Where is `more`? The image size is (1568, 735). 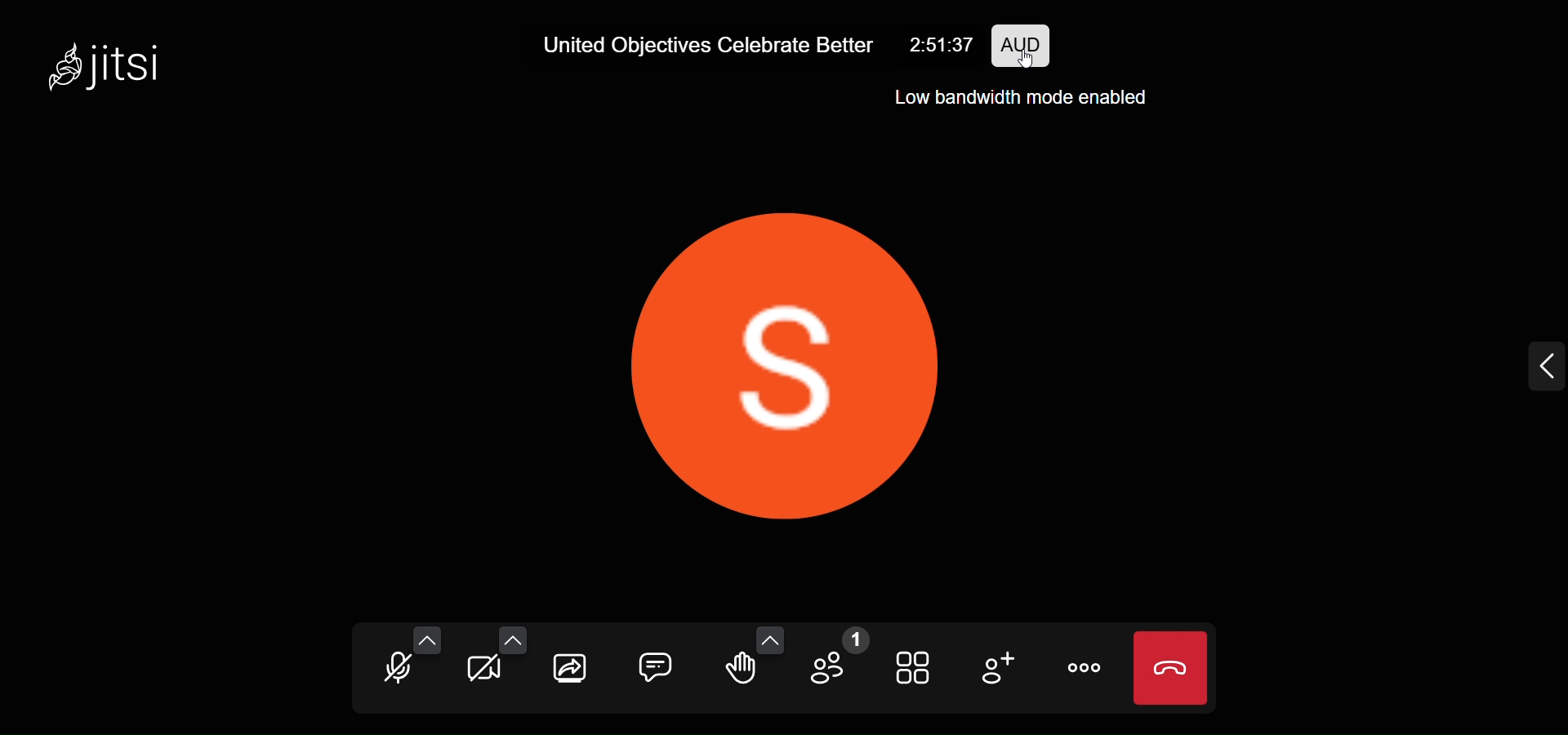
more is located at coordinates (1085, 671).